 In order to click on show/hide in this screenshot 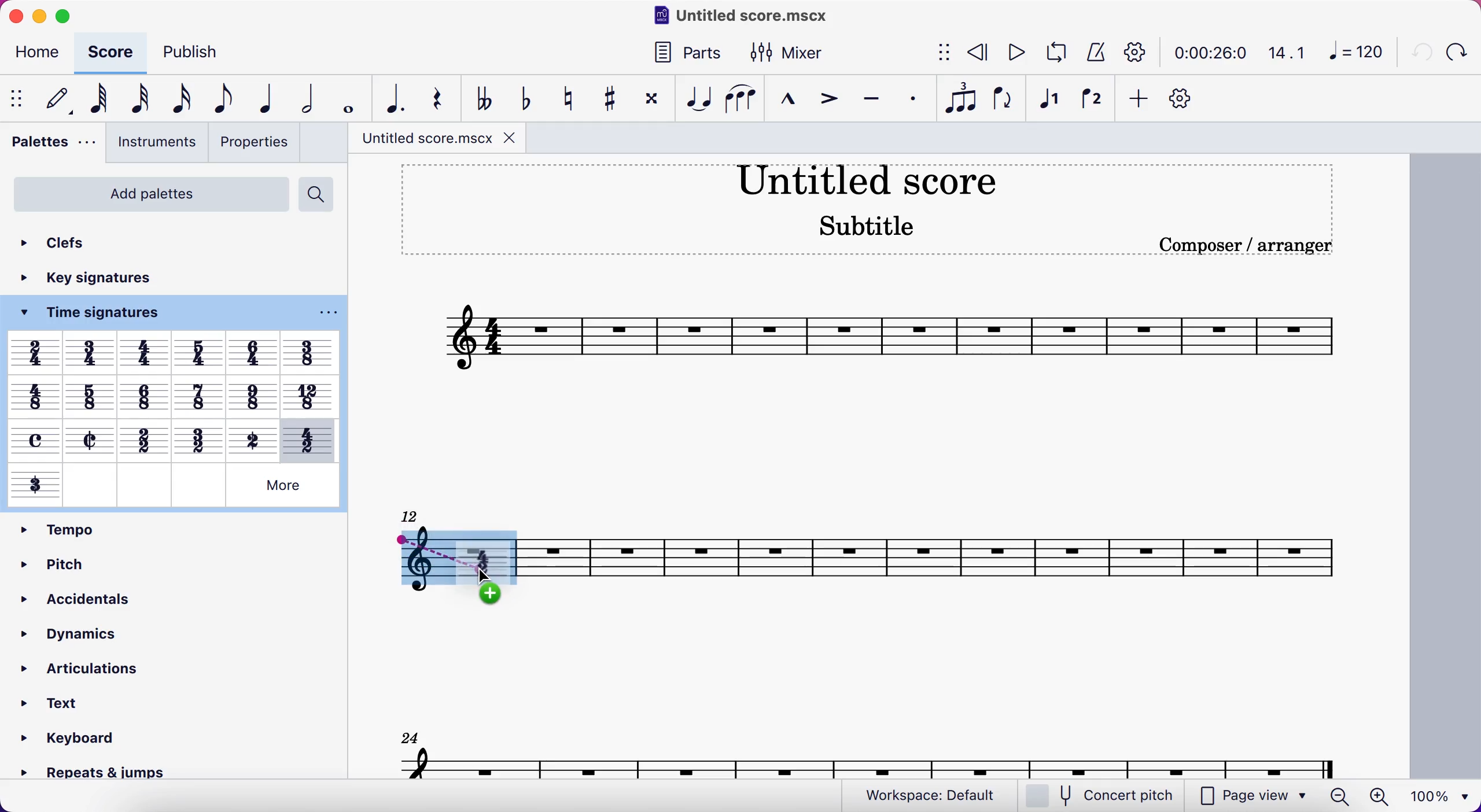, I will do `click(938, 54)`.